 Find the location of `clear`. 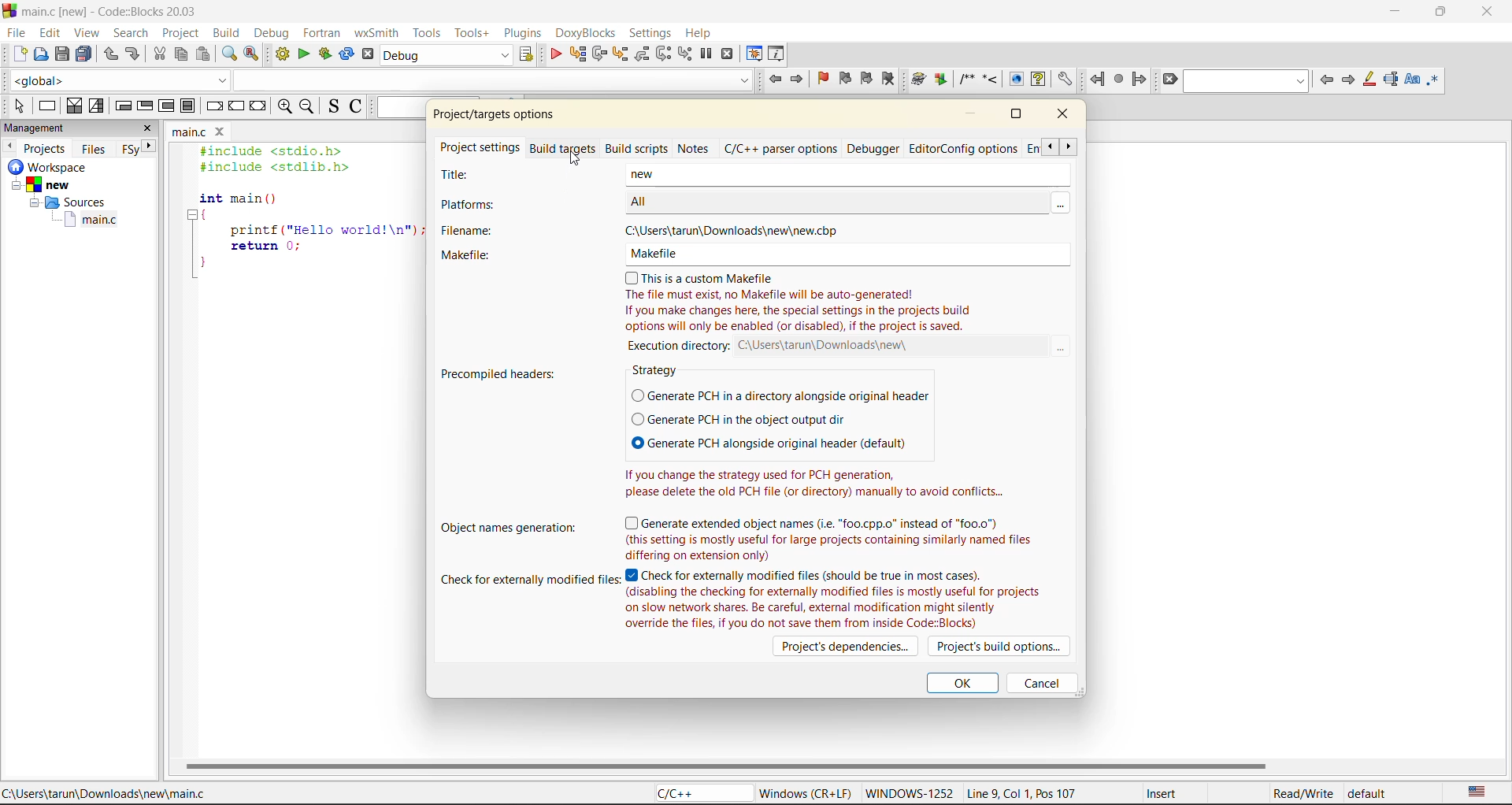

clear is located at coordinates (1171, 80).